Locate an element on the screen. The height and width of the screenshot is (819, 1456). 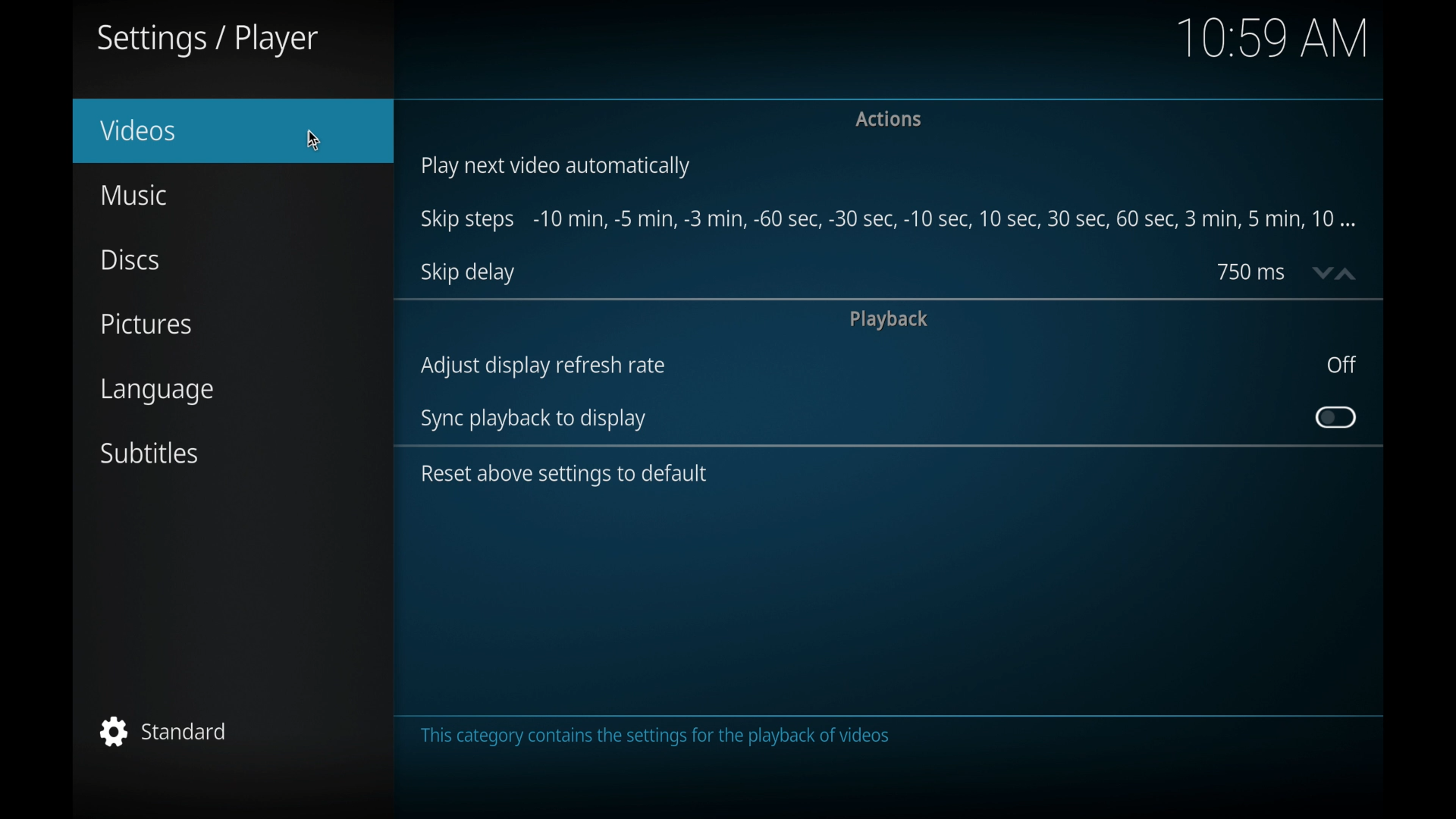
cursor is located at coordinates (313, 140).